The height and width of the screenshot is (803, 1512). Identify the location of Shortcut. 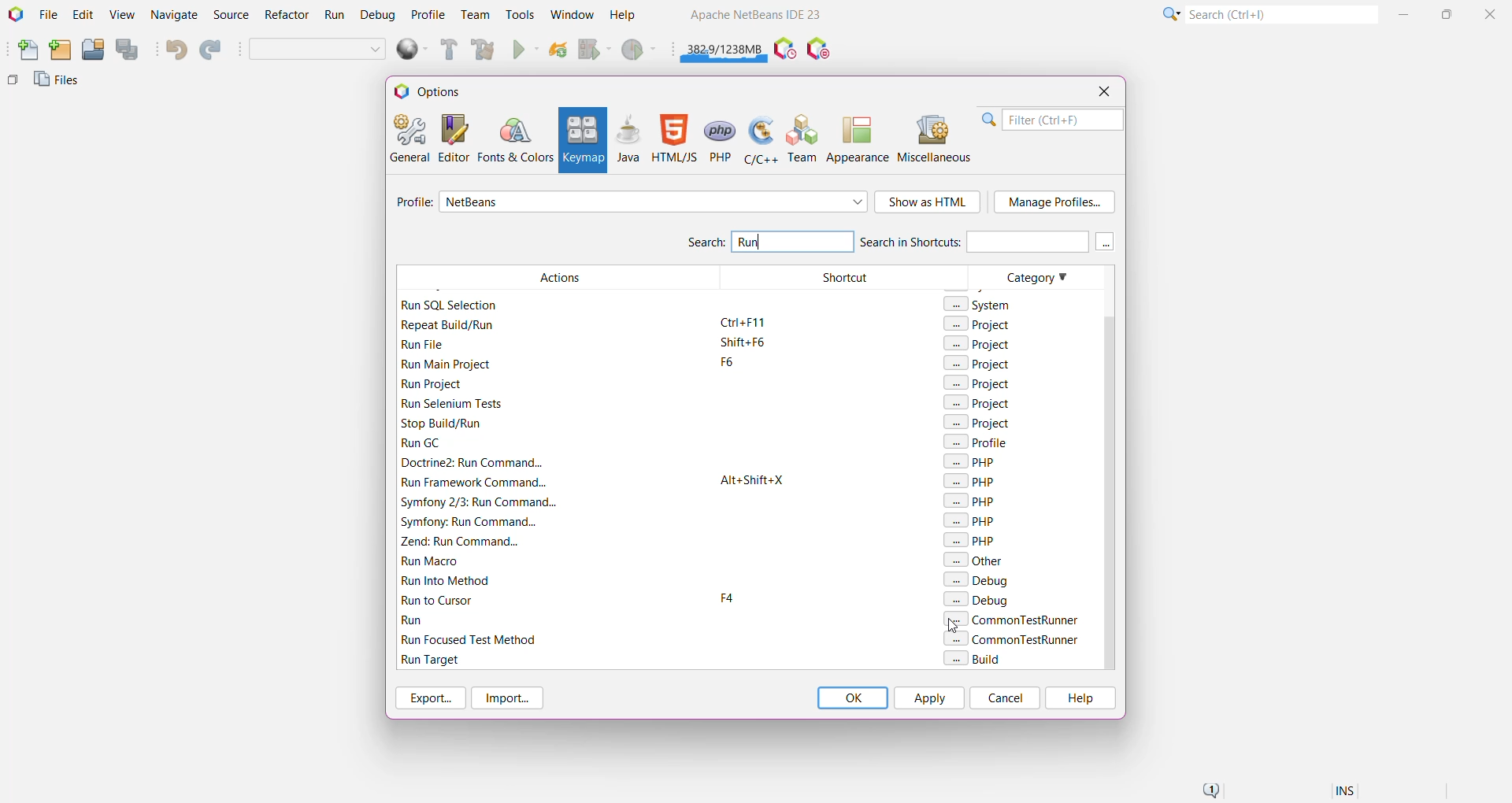
(845, 468).